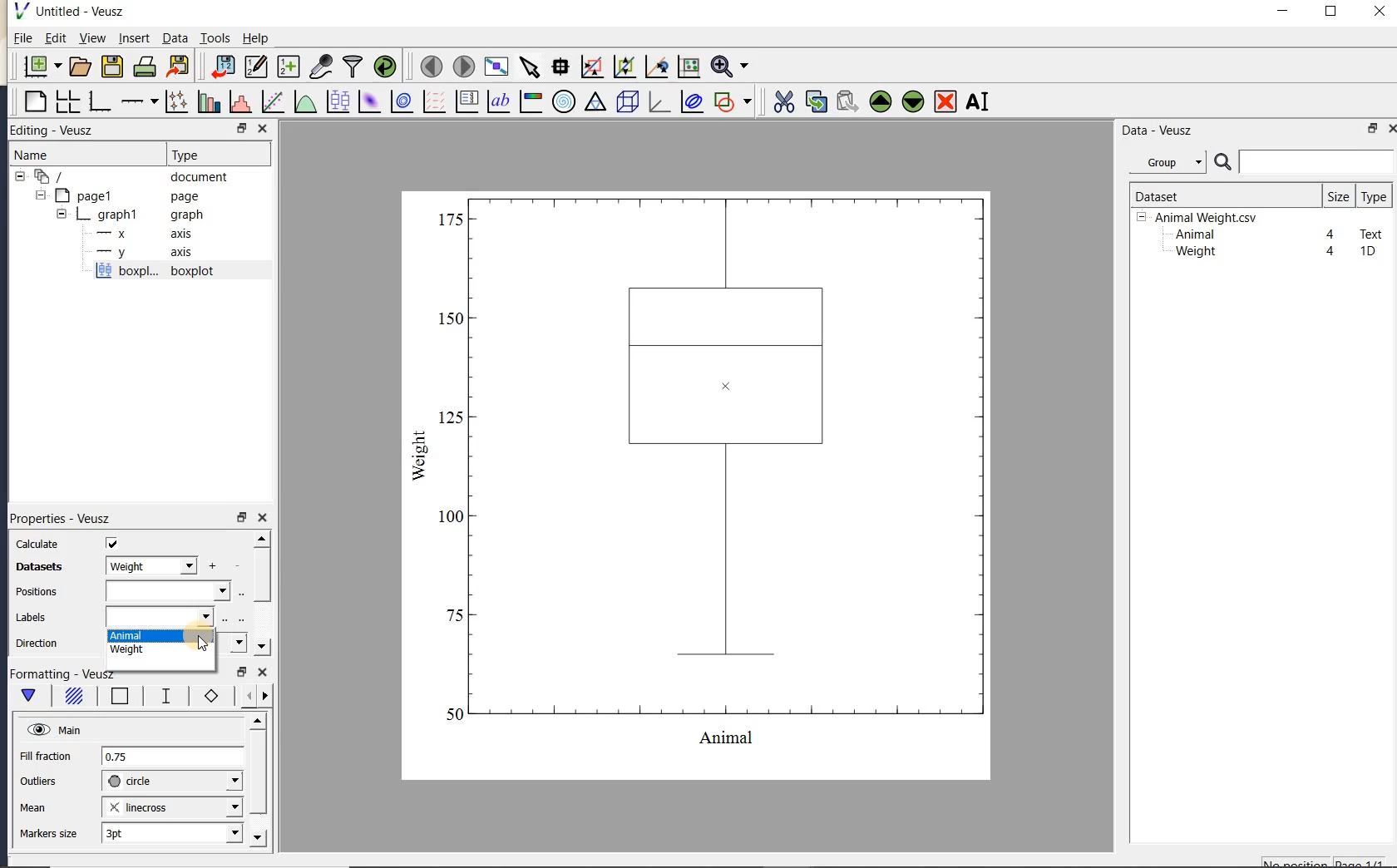 This screenshot has height=868, width=1397. I want to click on base graph, so click(98, 101).